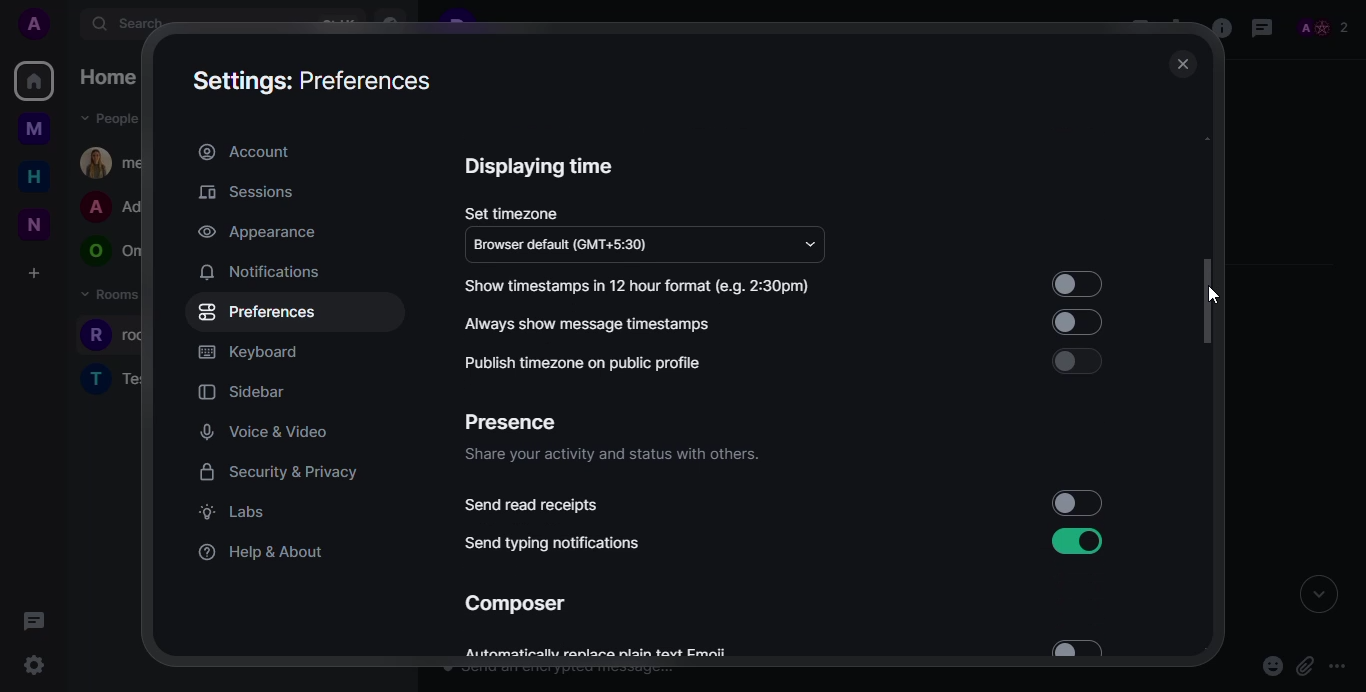 The width and height of the screenshot is (1366, 692). I want to click on notifications, so click(259, 271).